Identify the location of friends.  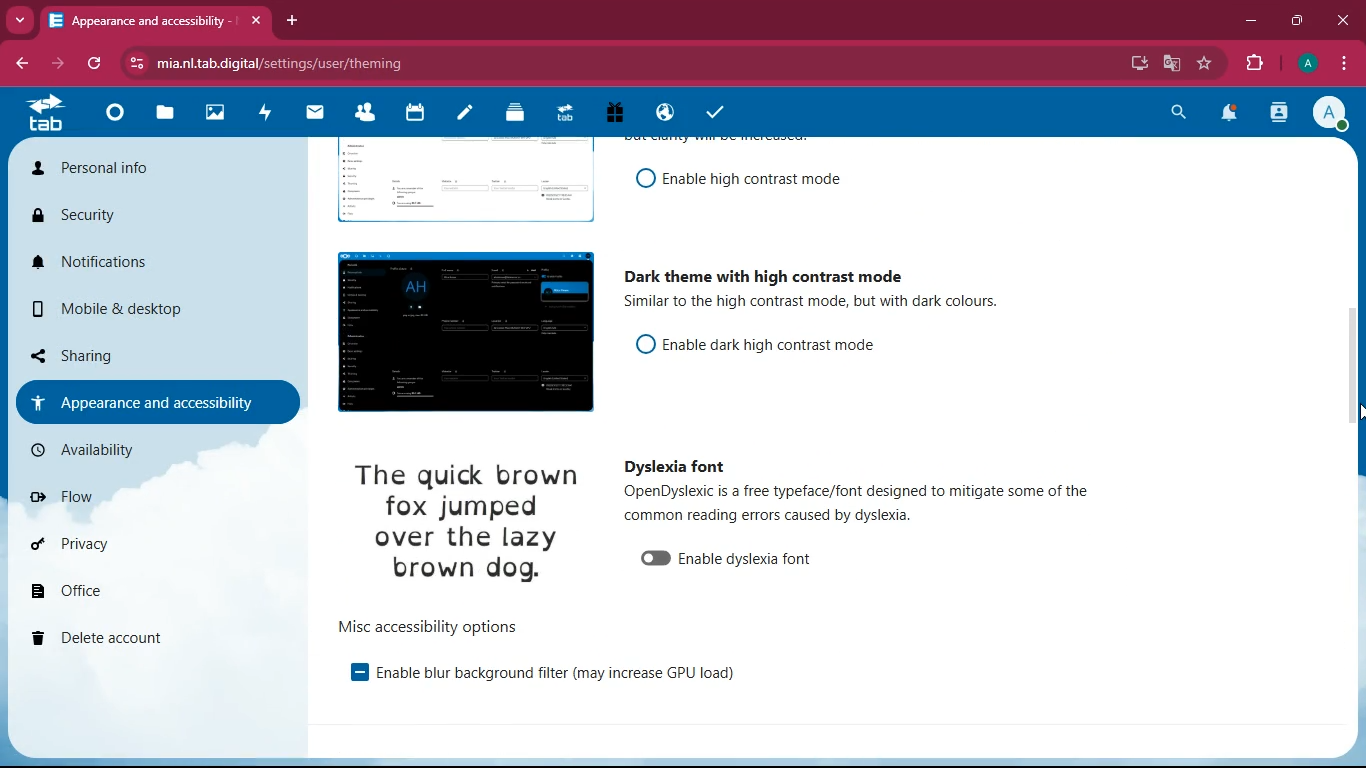
(366, 116).